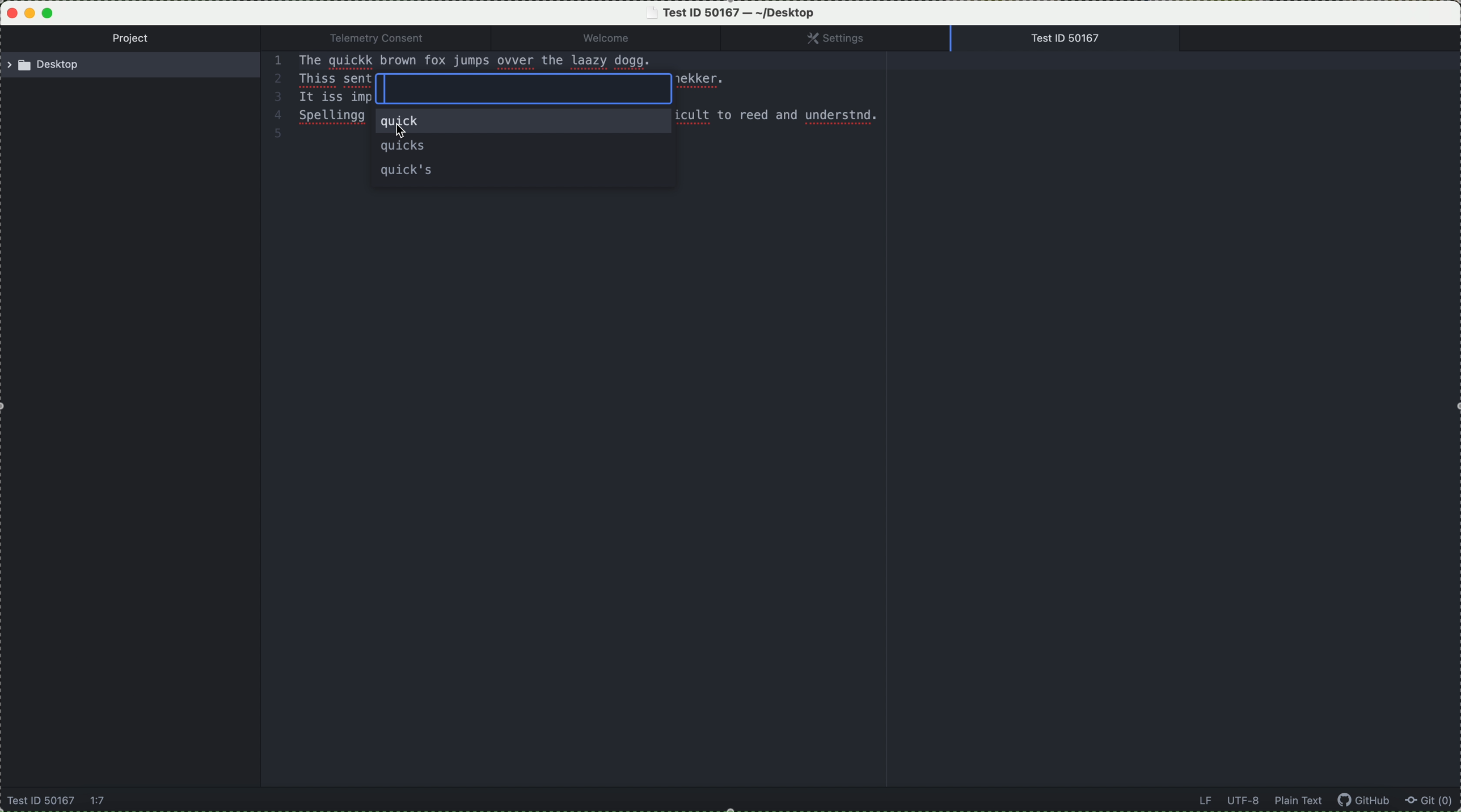 The width and height of the screenshot is (1461, 812). I want to click on maximize program, so click(50, 12).